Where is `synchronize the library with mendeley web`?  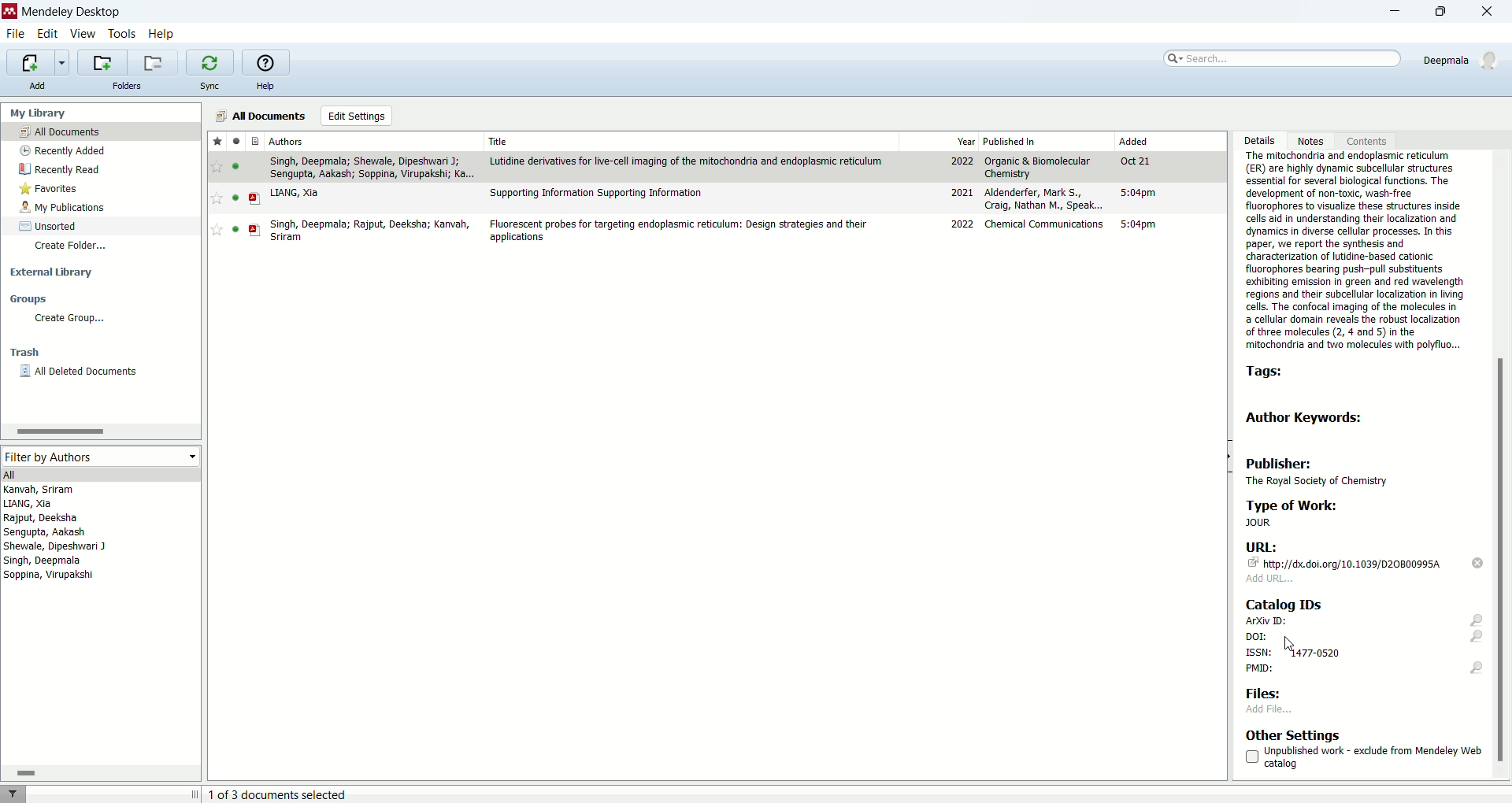
synchronize the library with mendeley web is located at coordinates (210, 63).